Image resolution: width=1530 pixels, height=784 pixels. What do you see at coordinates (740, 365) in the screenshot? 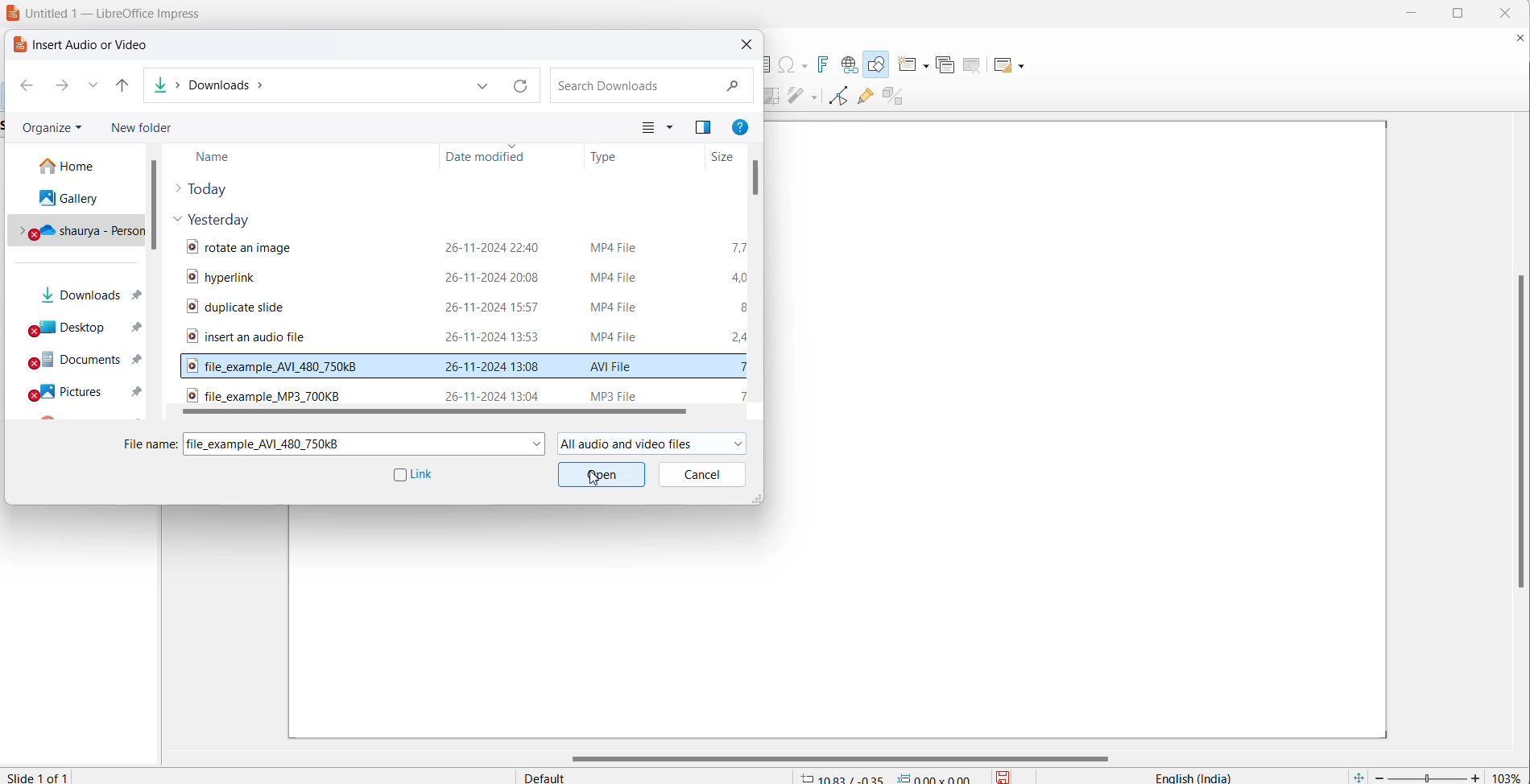
I see `selected video file size` at bounding box center [740, 365].